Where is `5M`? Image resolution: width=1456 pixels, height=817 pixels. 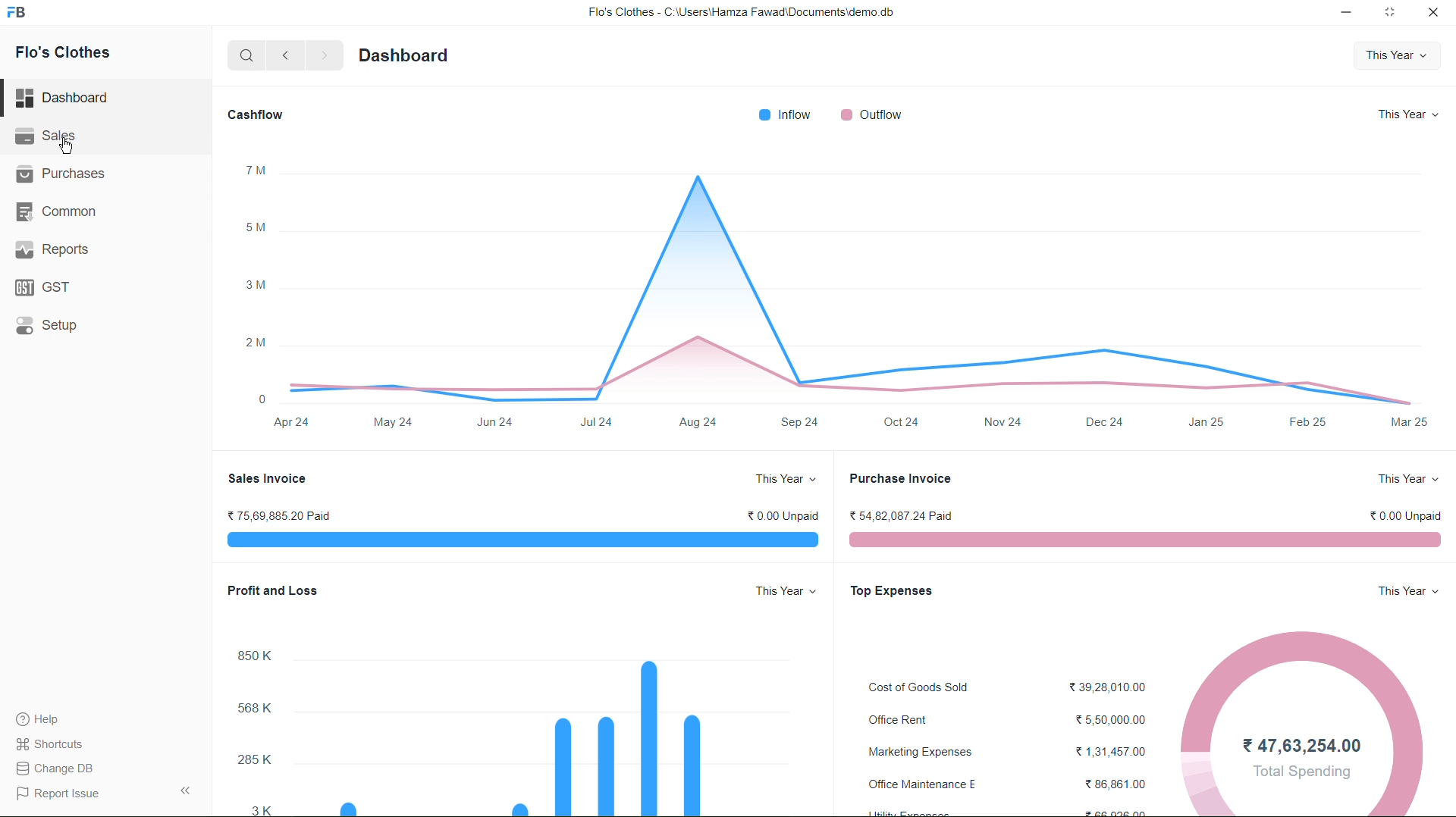
5M is located at coordinates (256, 226).